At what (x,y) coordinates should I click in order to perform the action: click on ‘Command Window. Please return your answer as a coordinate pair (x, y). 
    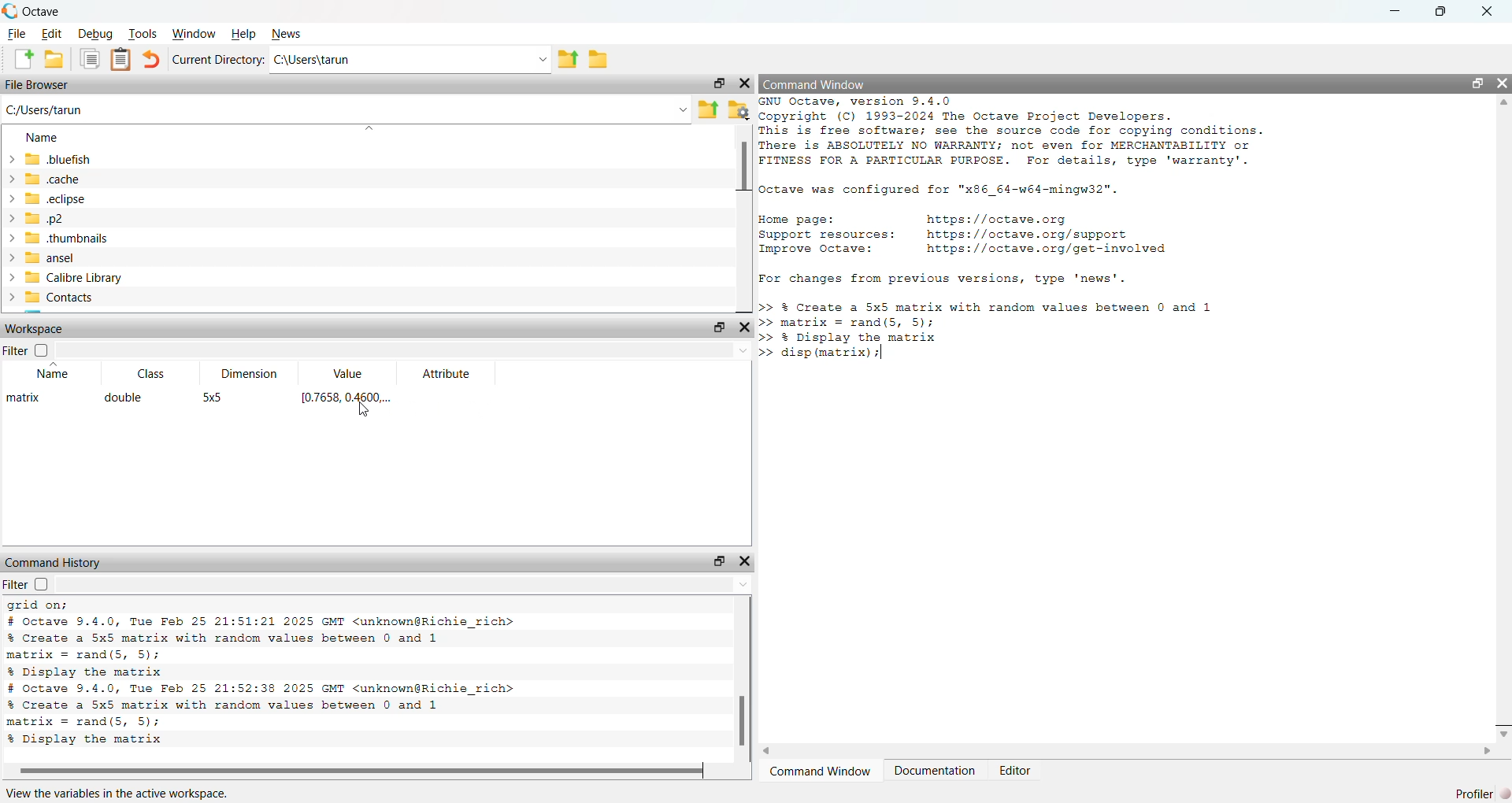
    Looking at the image, I should click on (820, 772).